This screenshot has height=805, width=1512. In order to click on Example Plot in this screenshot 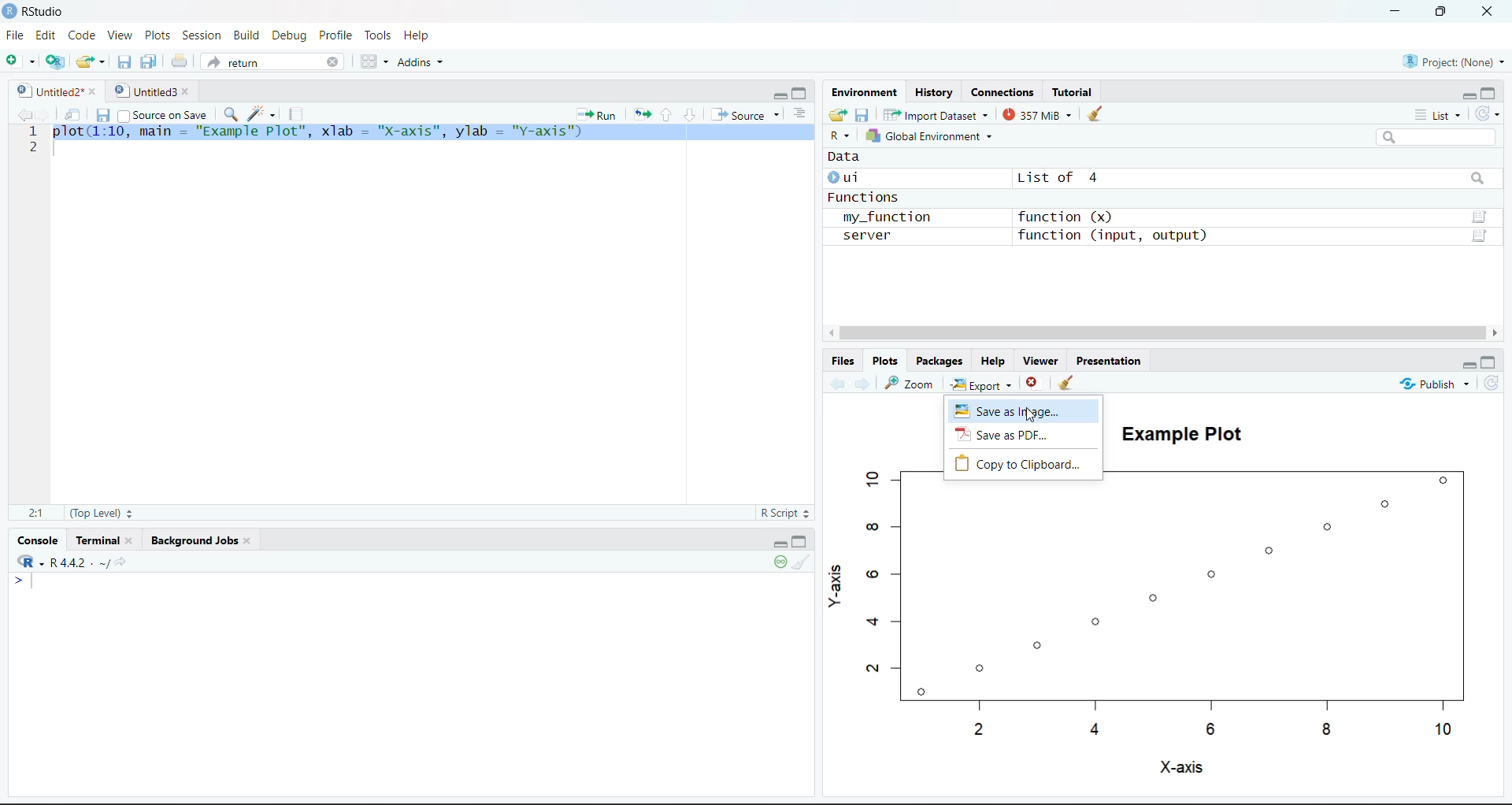, I will do `click(1177, 431)`.